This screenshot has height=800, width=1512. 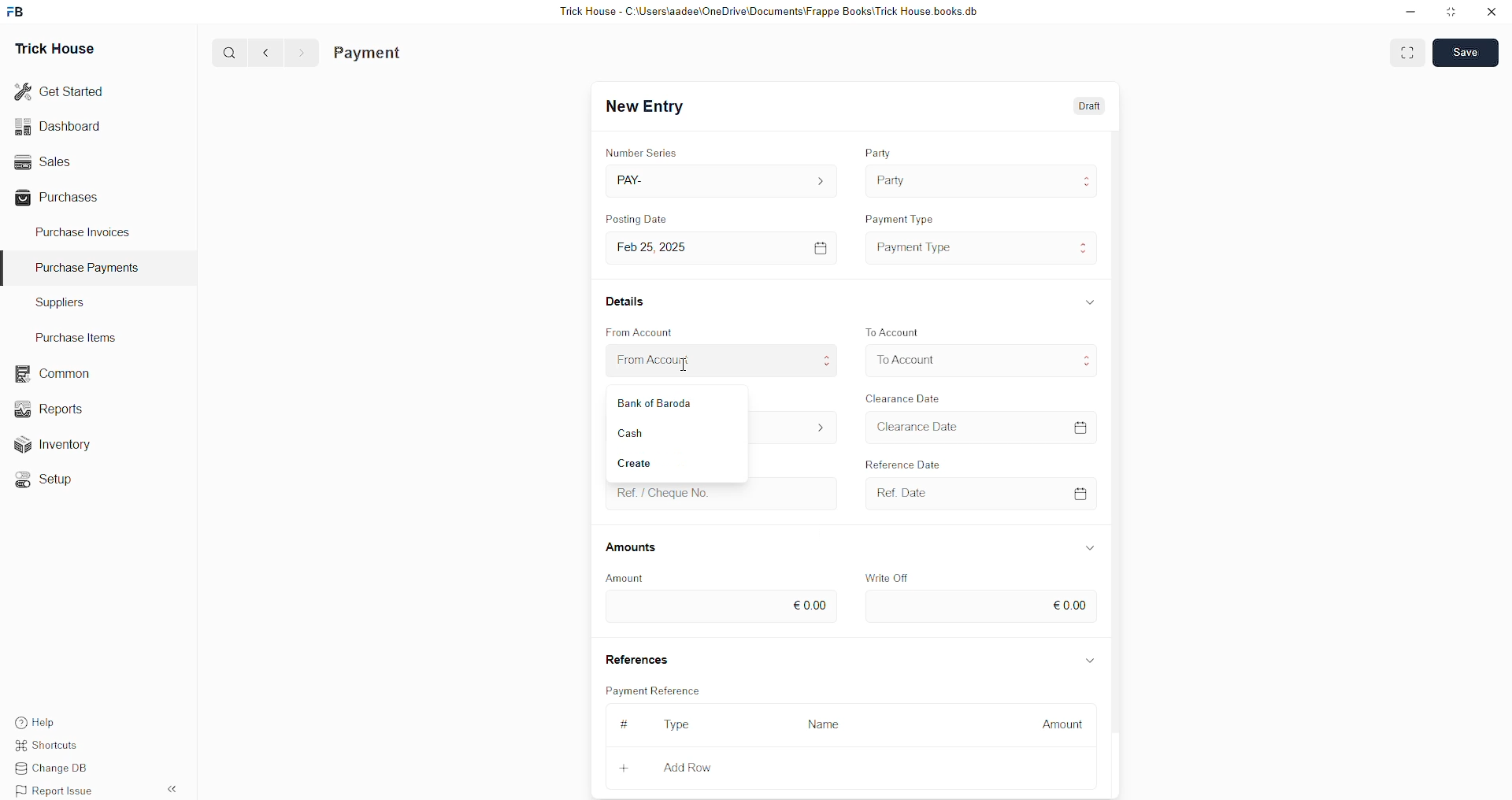 What do you see at coordinates (50, 47) in the screenshot?
I see `Trick House` at bounding box center [50, 47].